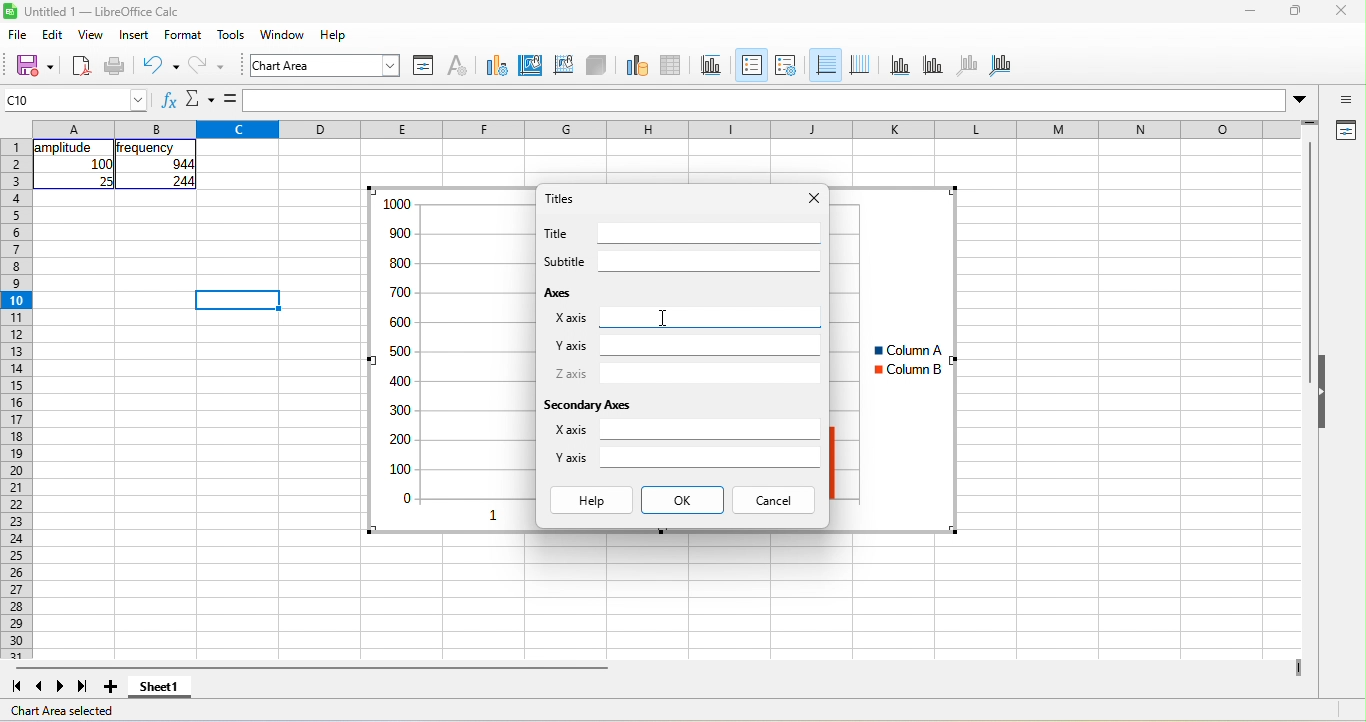  What do you see at coordinates (710, 429) in the screenshot?
I see `Input for secondary x axis` at bounding box center [710, 429].